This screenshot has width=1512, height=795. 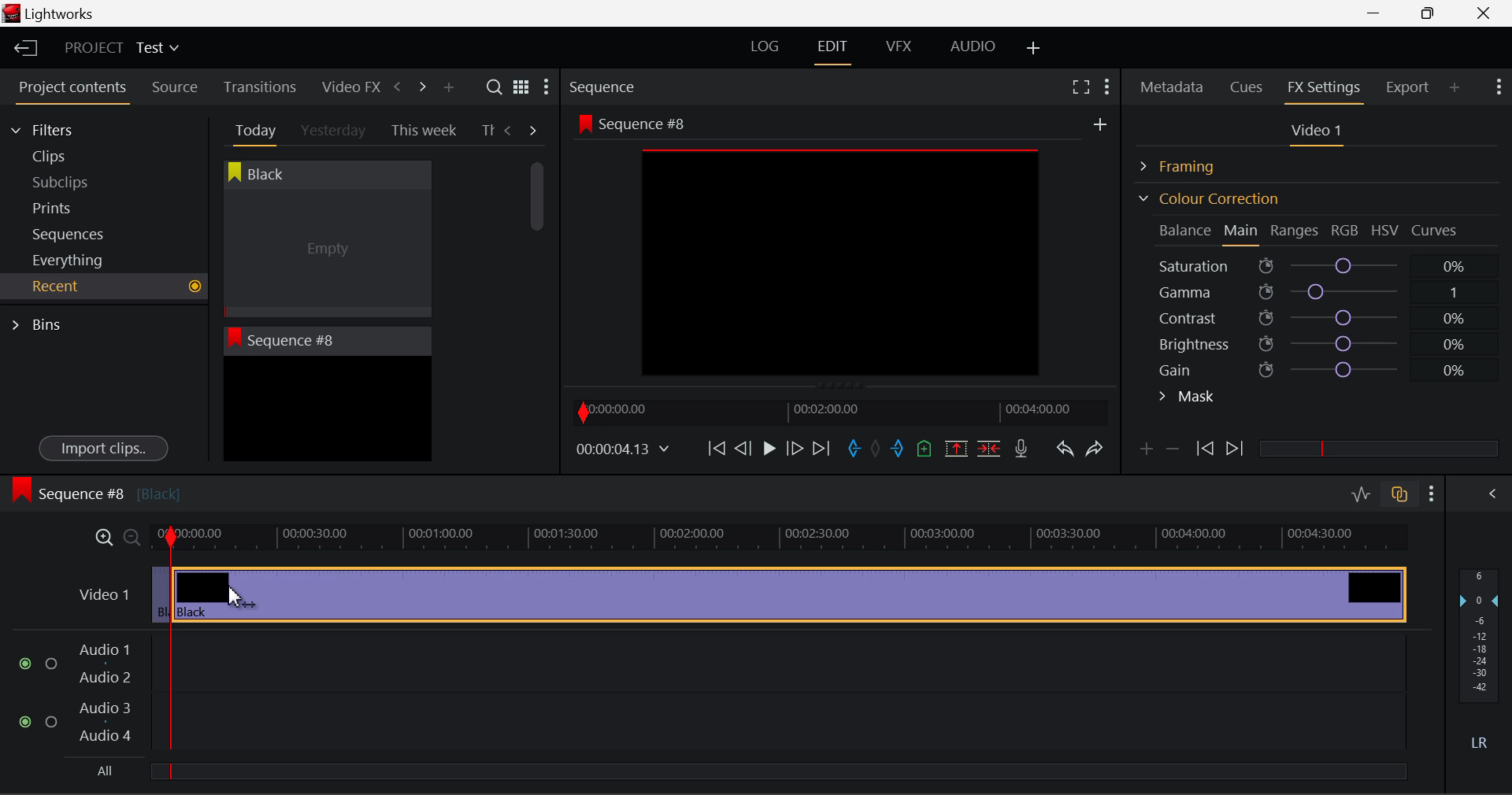 What do you see at coordinates (101, 537) in the screenshot?
I see `Timeline Zoom In` at bounding box center [101, 537].